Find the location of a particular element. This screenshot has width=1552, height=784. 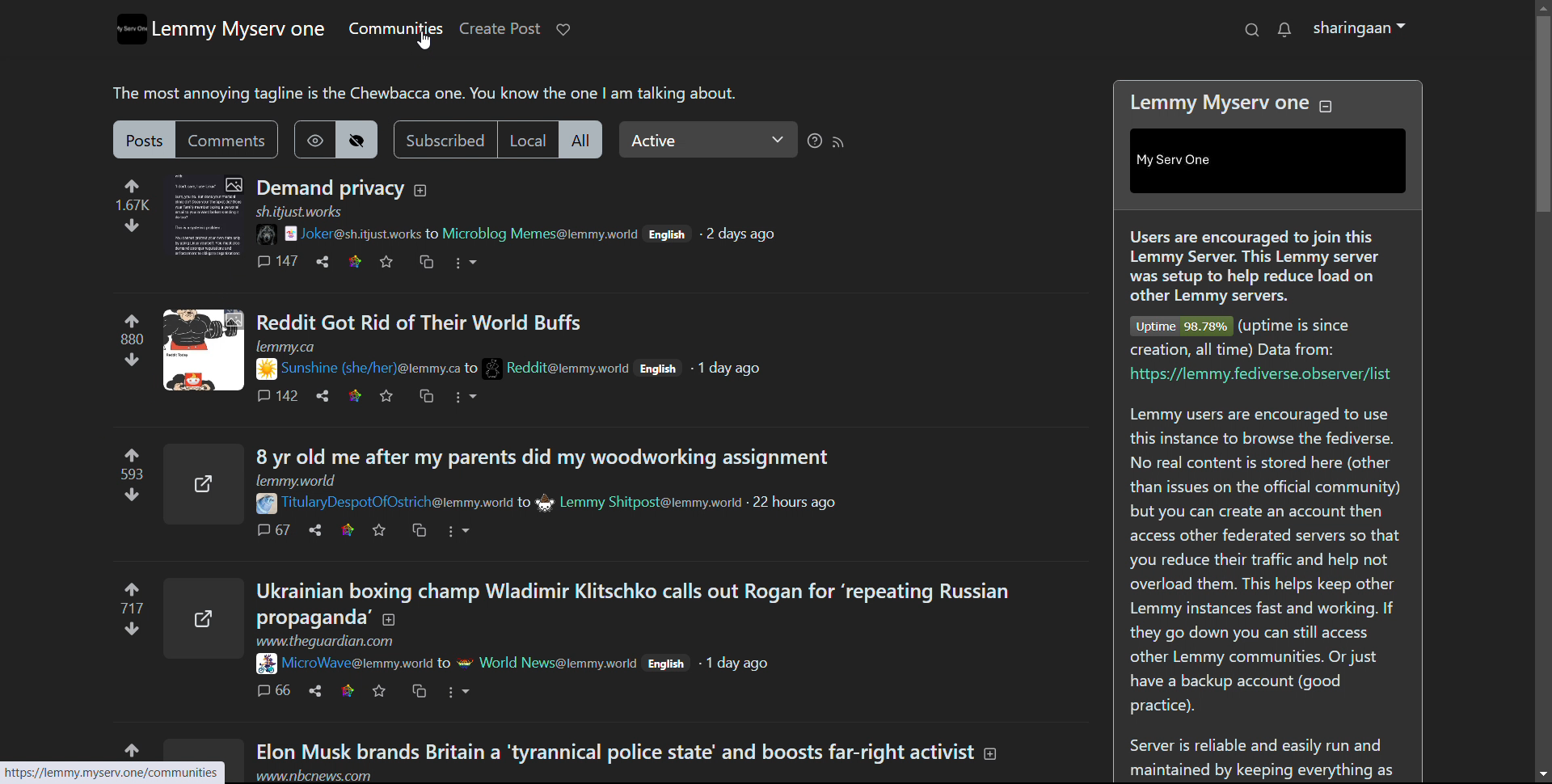

Post title - Reddit Got Rid of Their World Buffs is located at coordinates (425, 322).